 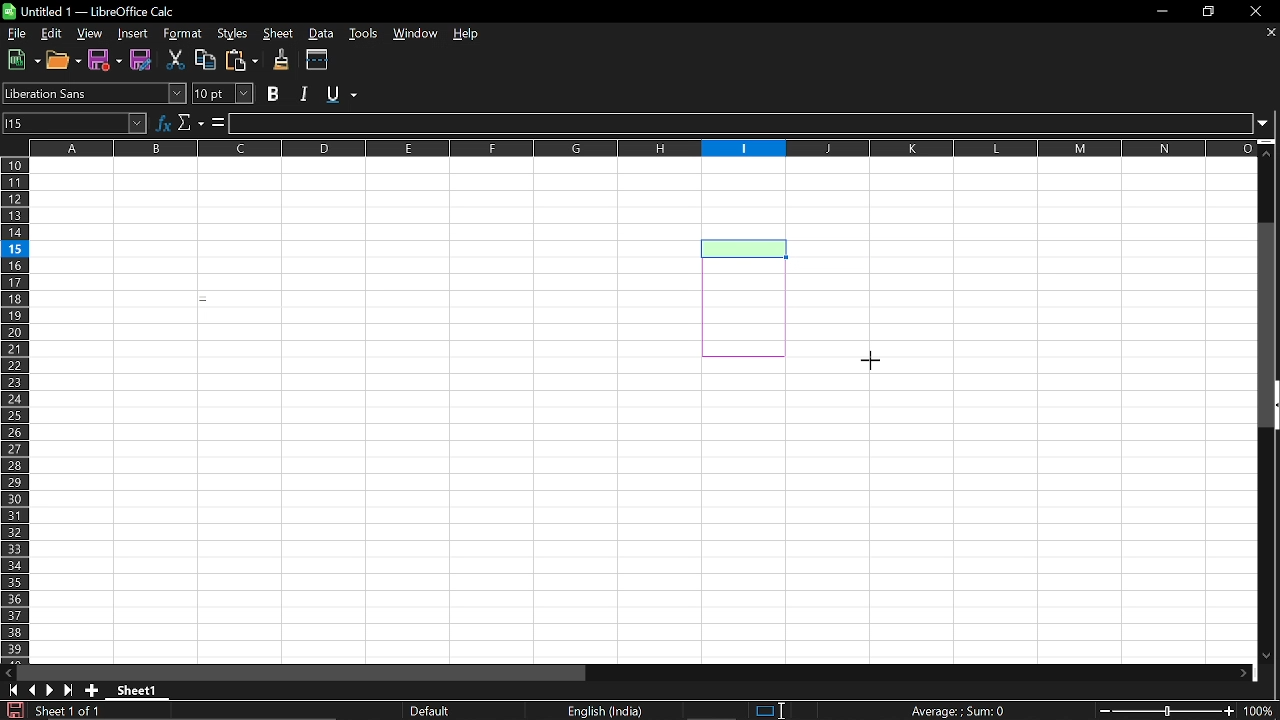 What do you see at coordinates (176, 62) in the screenshot?
I see `Cut` at bounding box center [176, 62].